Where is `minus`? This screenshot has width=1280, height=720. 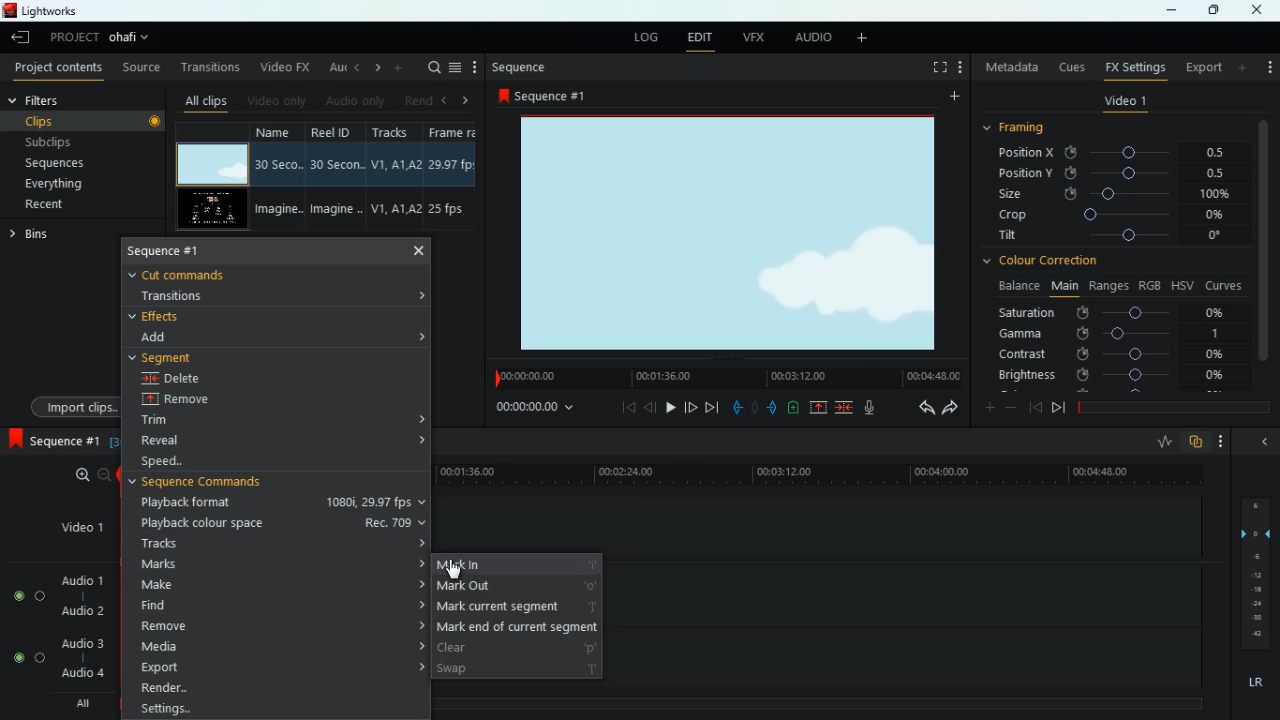 minus is located at coordinates (1011, 407).